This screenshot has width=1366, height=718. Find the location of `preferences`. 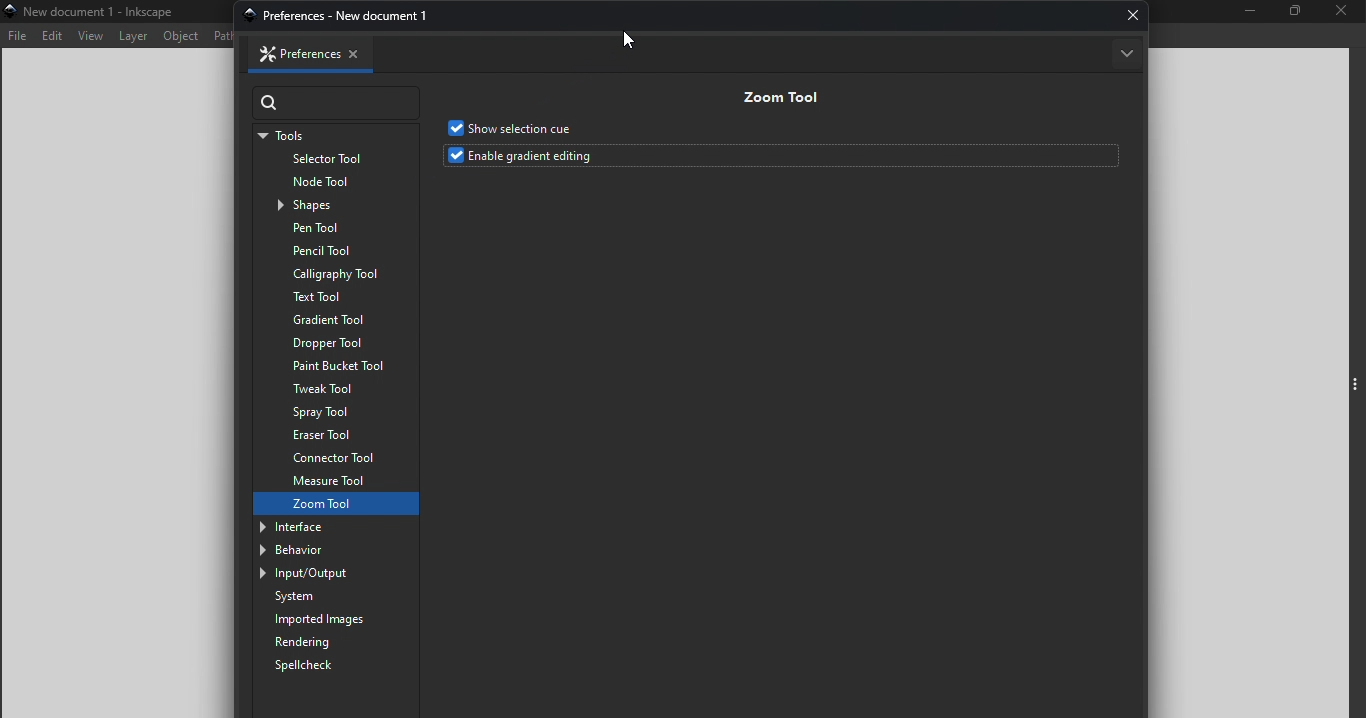

preferences is located at coordinates (347, 16).